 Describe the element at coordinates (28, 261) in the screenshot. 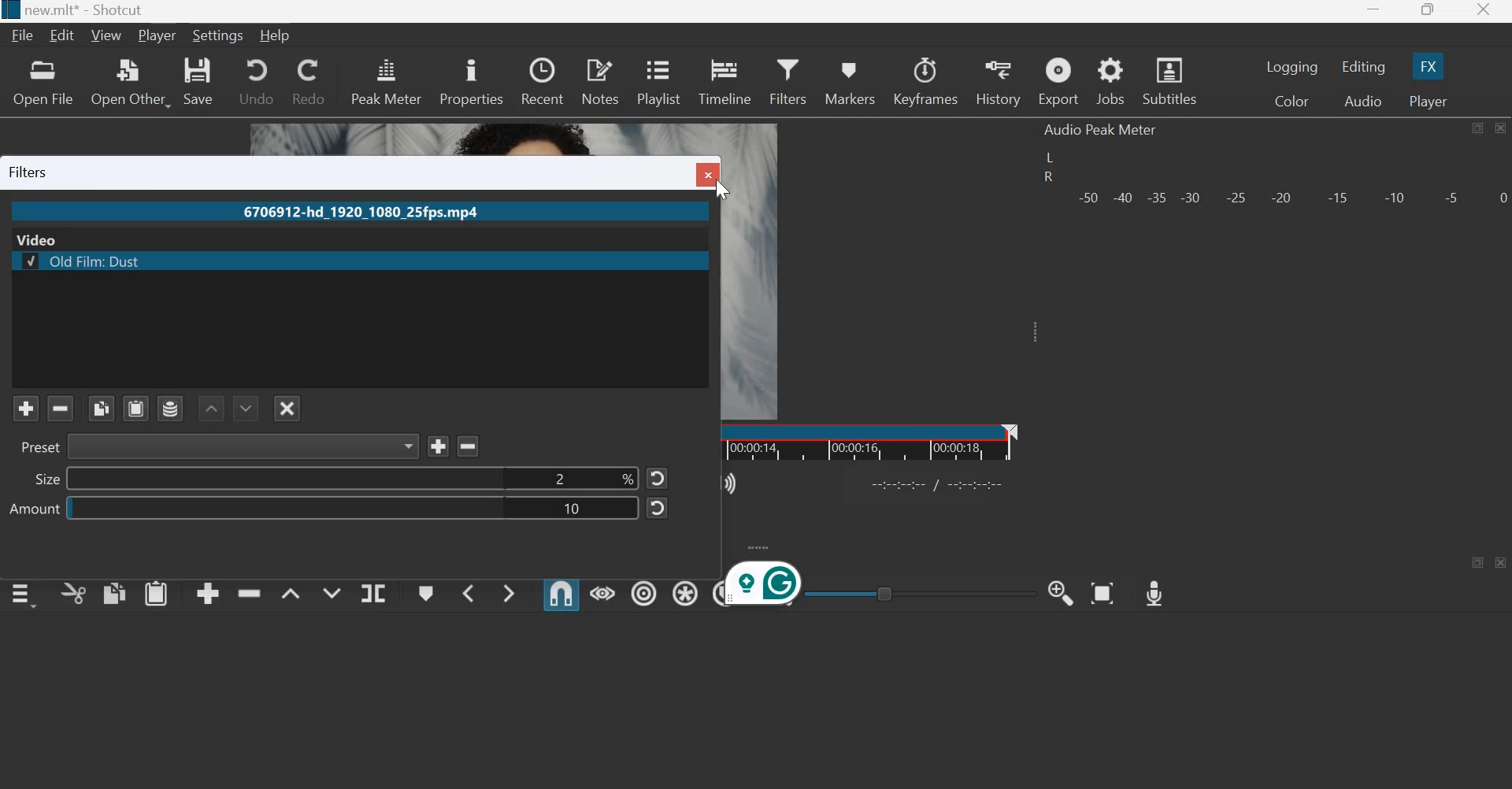

I see `` at that location.